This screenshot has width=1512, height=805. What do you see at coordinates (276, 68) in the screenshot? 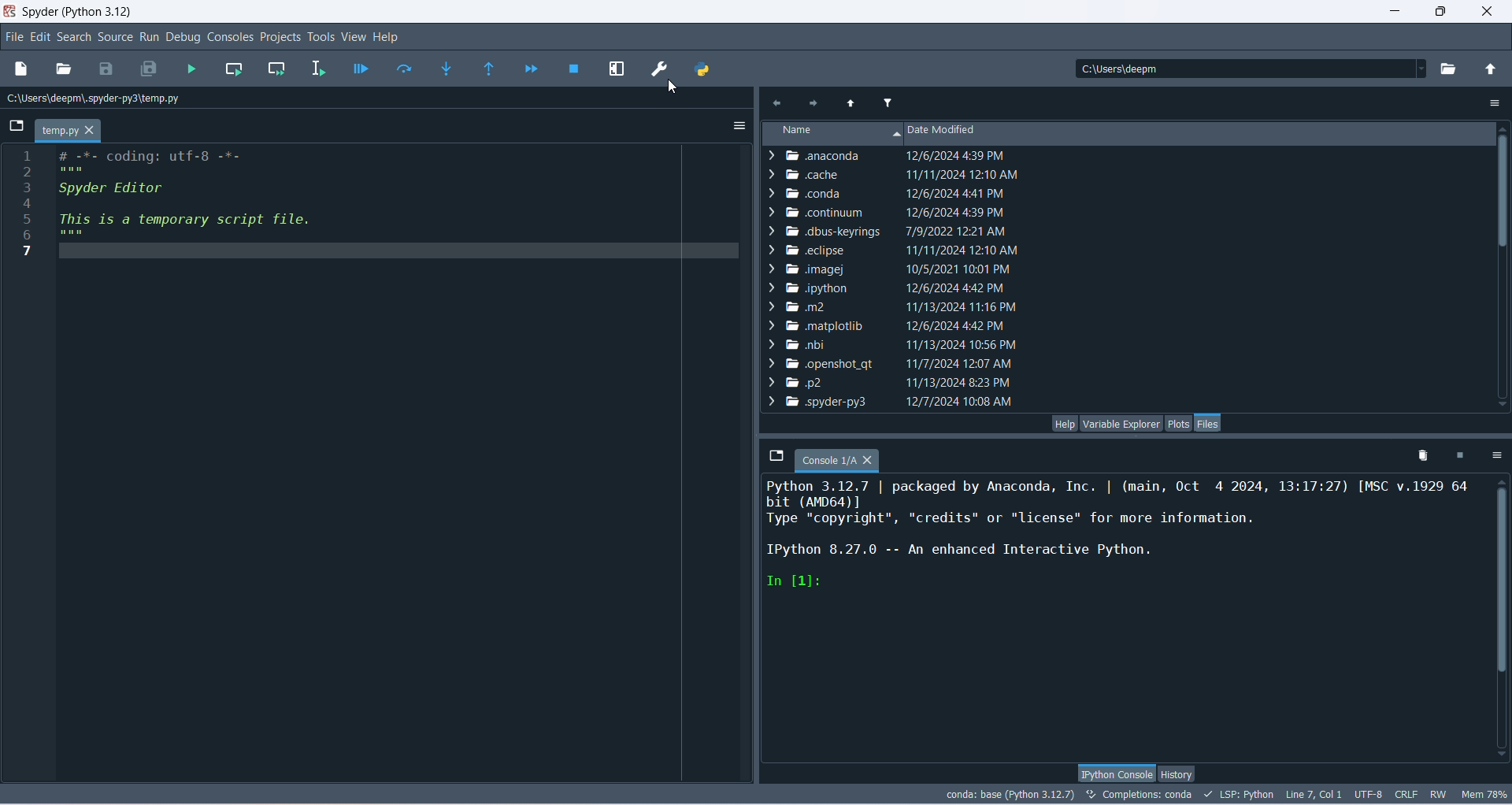
I see `run current cell and move to the next one` at bounding box center [276, 68].